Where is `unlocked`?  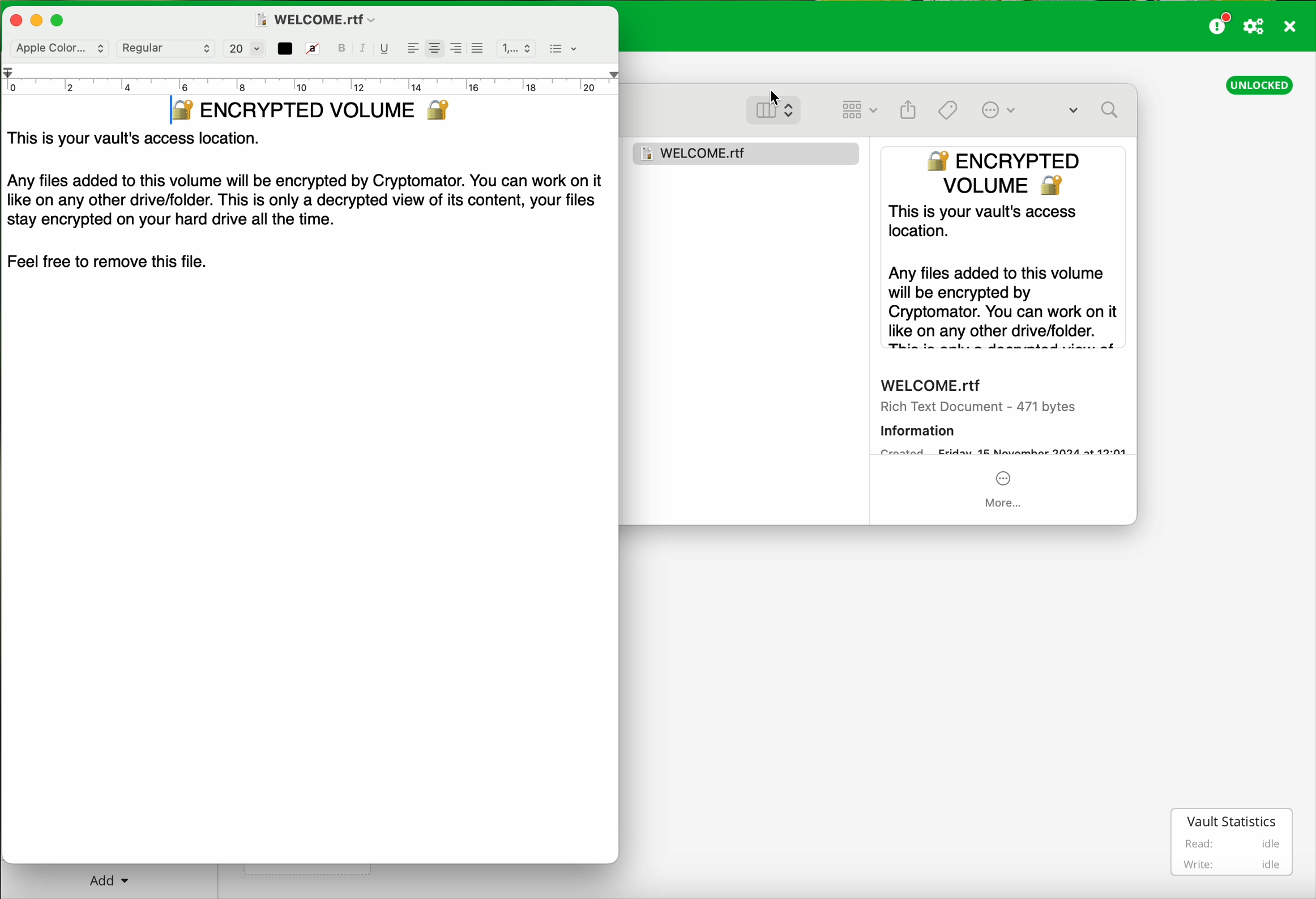
unlocked is located at coordinates (1260, 84).